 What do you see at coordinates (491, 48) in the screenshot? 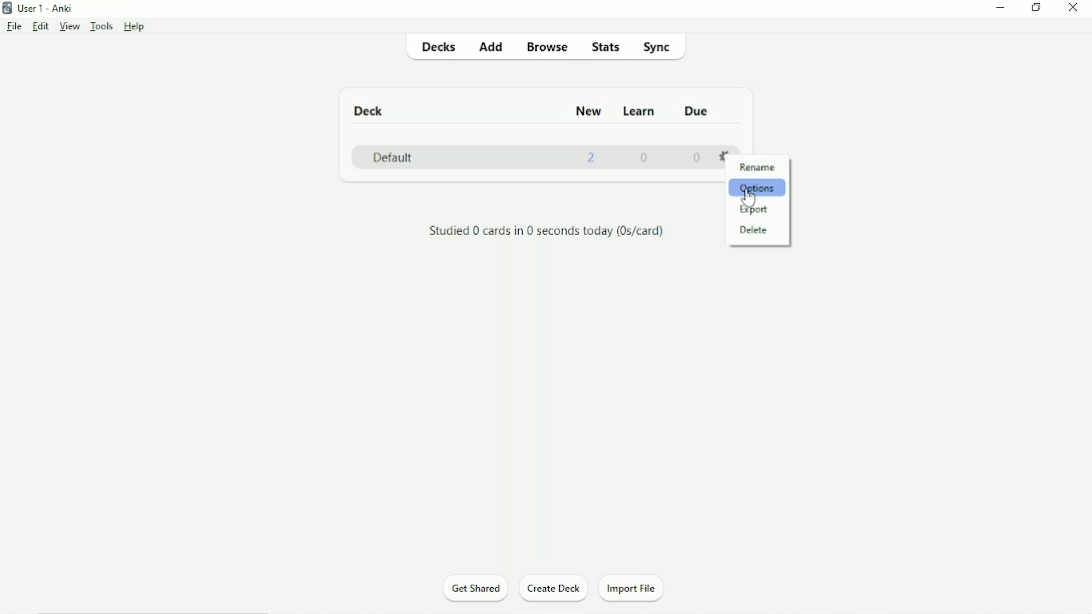
I see `Add` at bounding box center [491, 48].